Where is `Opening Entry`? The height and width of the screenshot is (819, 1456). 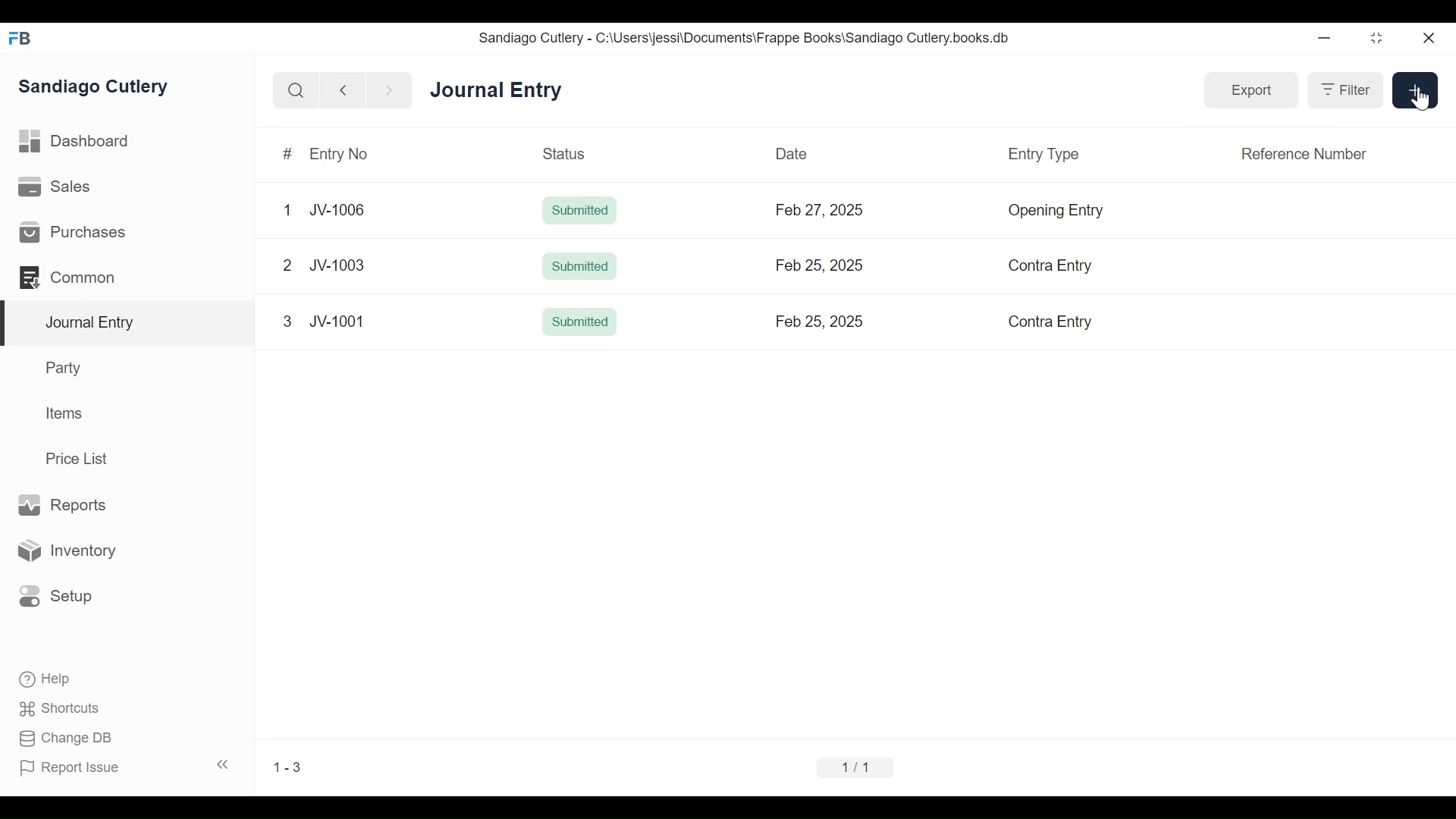
Opening Entry is located at coordinates (1050, 210).